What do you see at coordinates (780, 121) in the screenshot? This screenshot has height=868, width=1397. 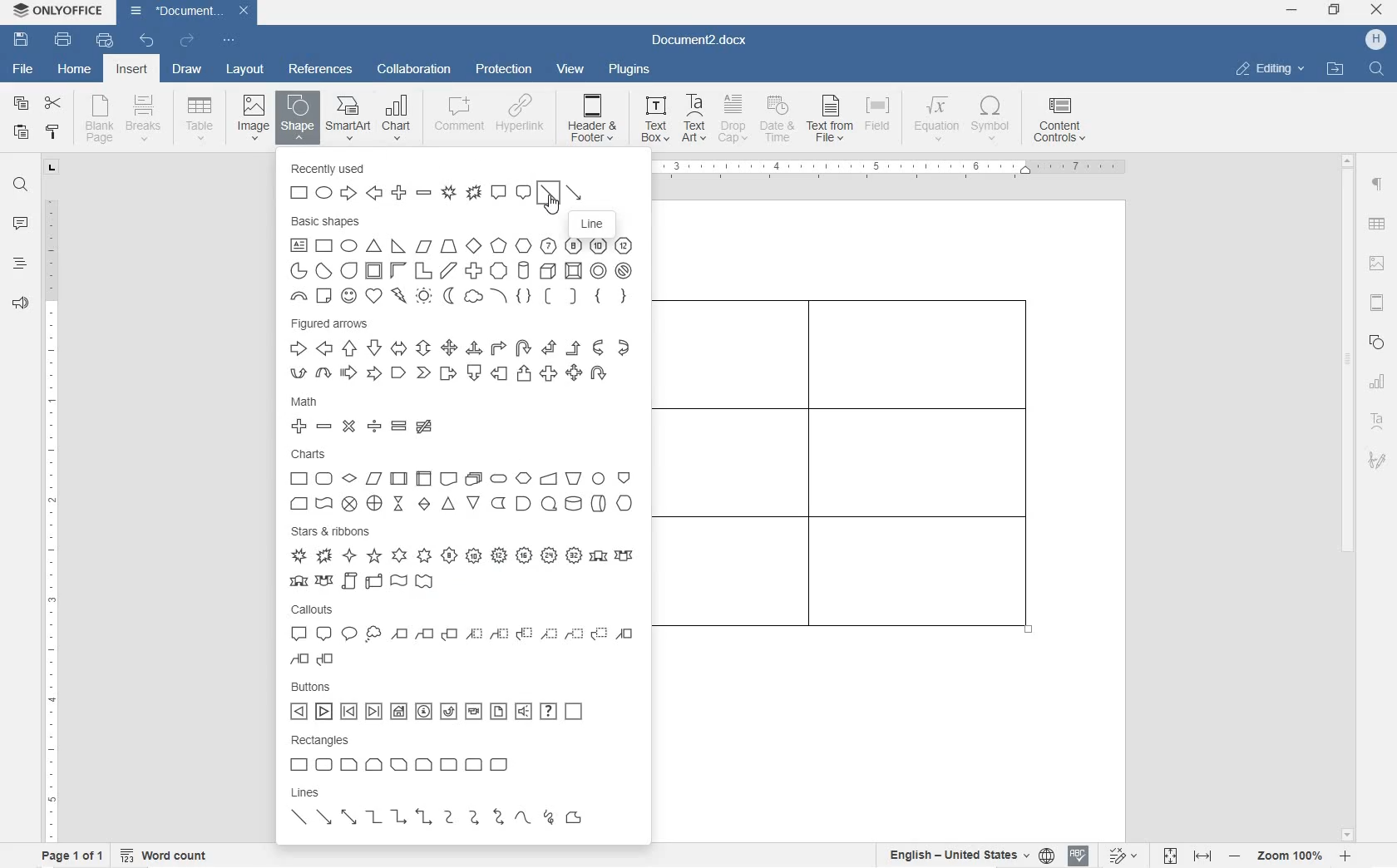 I see `DATE & TIME` at bounding box center [780, 121].